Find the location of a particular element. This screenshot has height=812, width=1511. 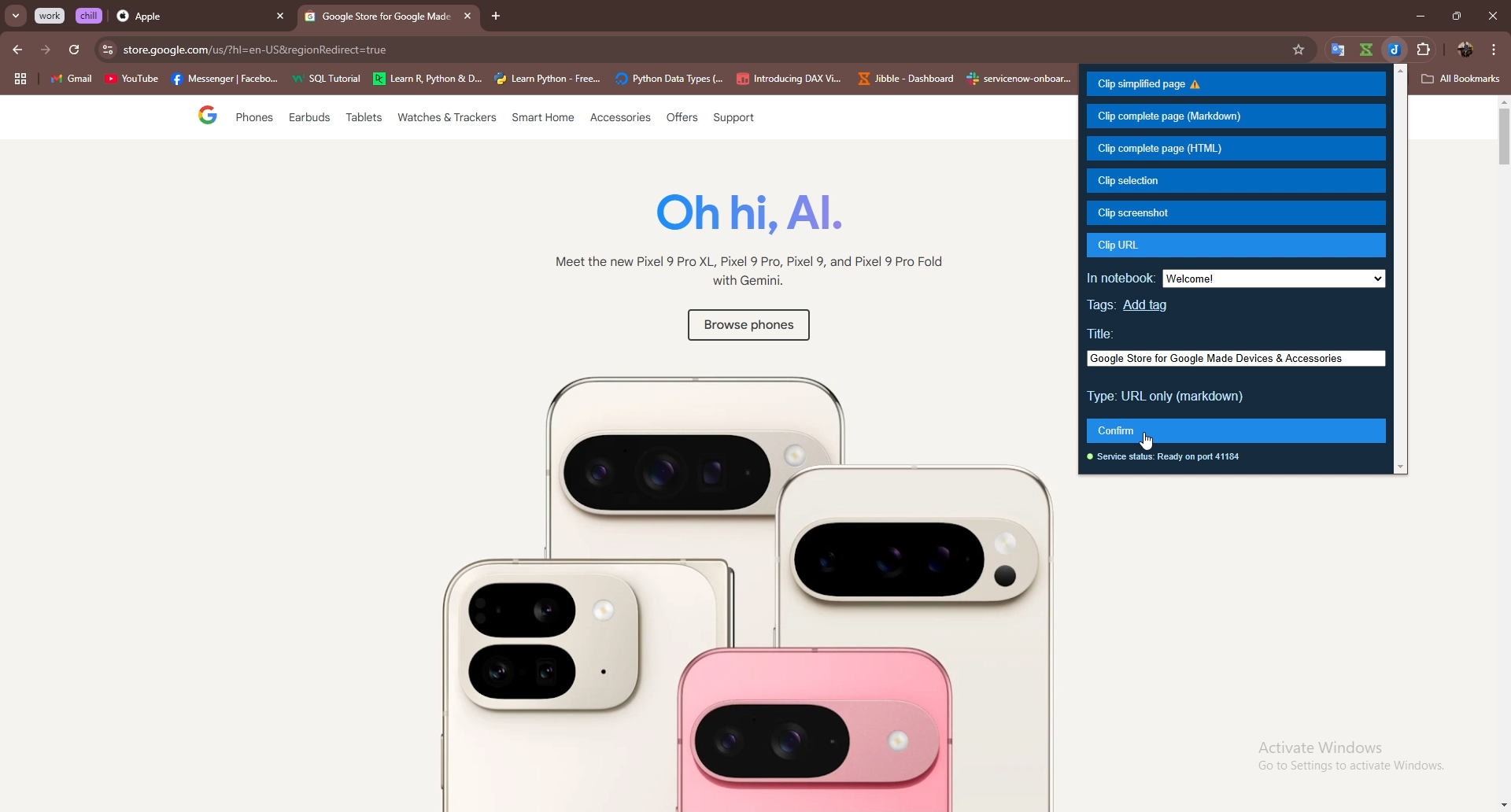

Image is located at coordinates (704, 582).